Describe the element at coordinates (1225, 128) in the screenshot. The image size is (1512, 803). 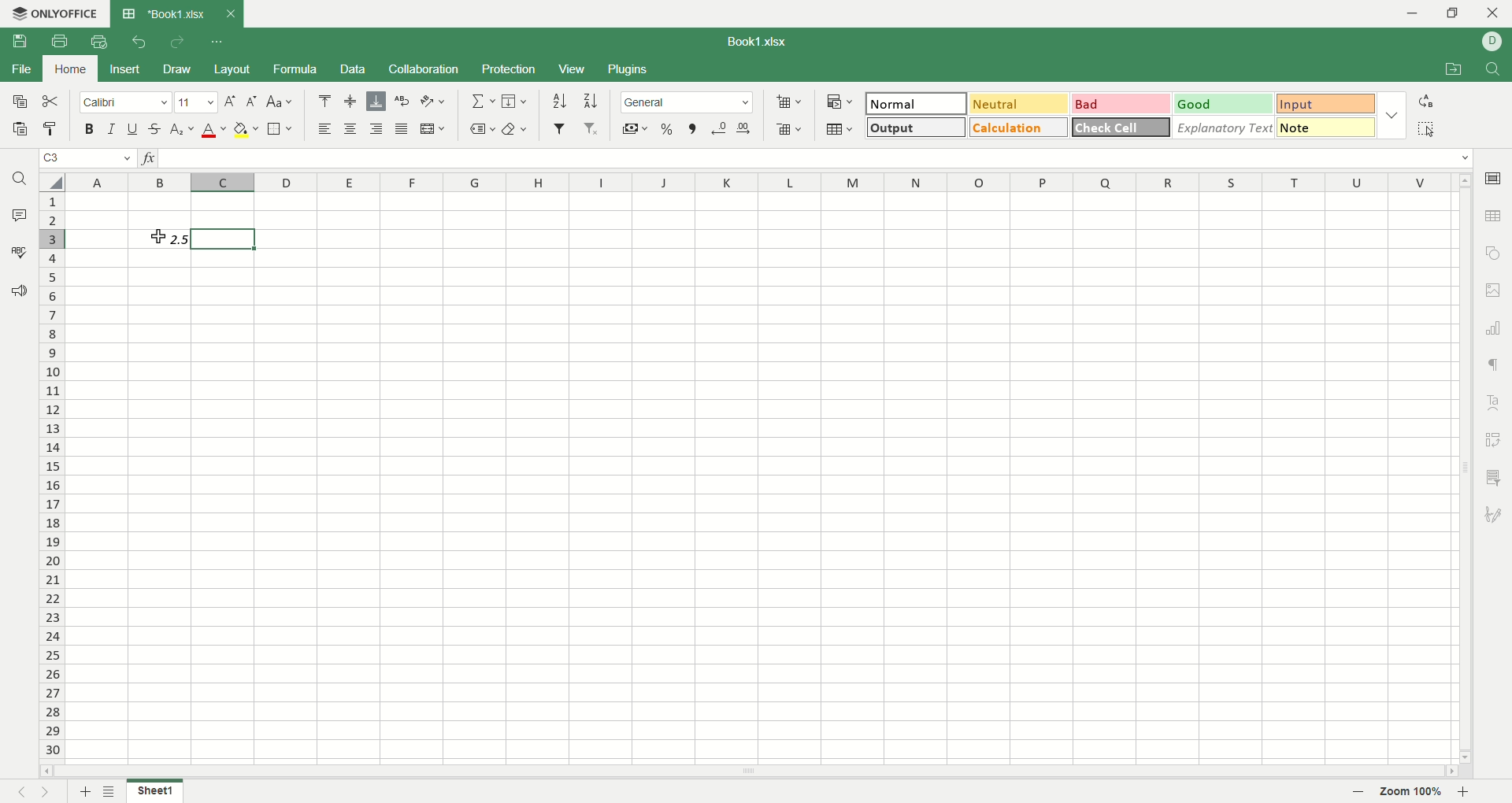
I see `explanatory test` at that location.